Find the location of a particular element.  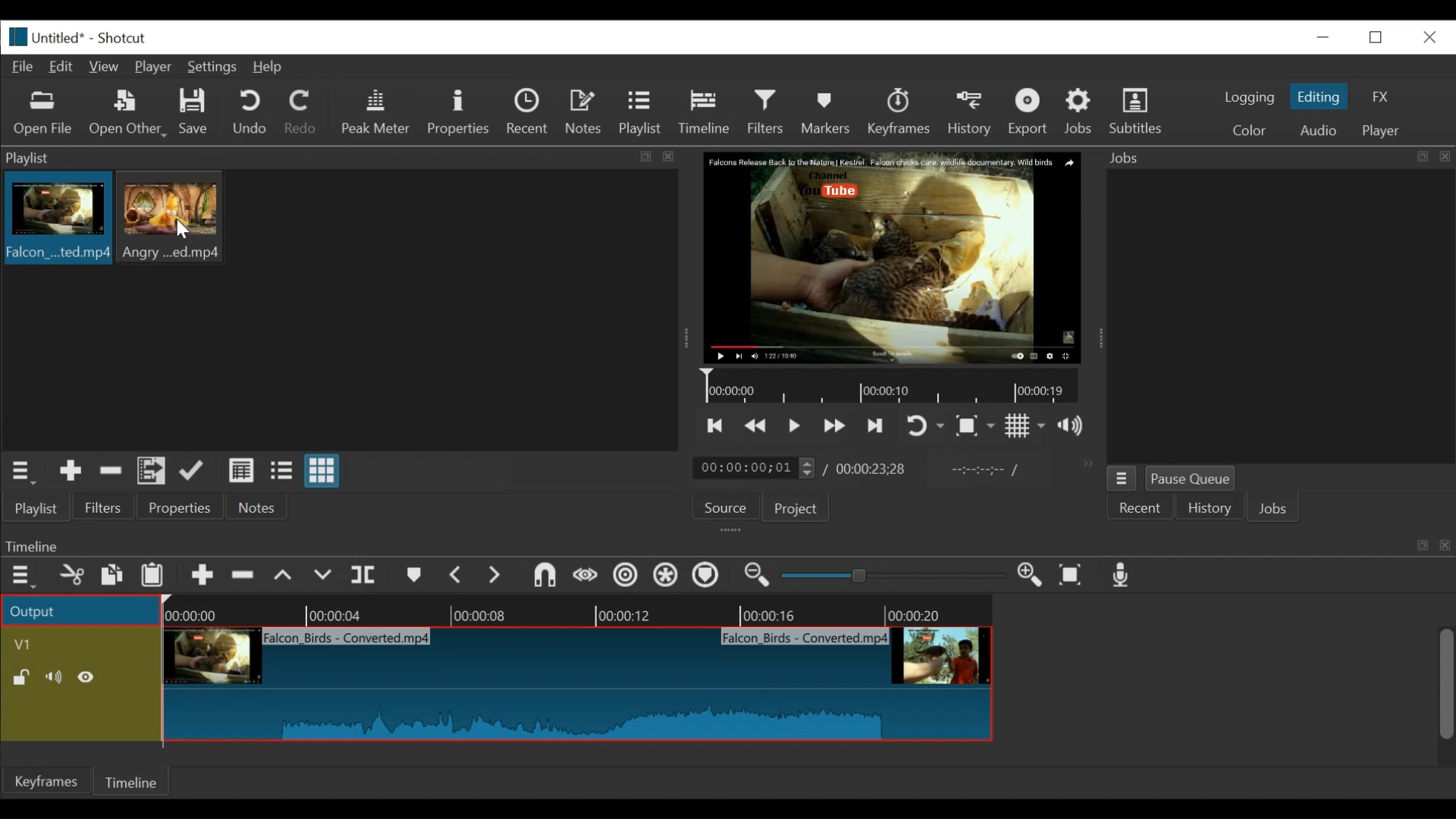

Ripple all tracks is located at coordinates (665, 577).